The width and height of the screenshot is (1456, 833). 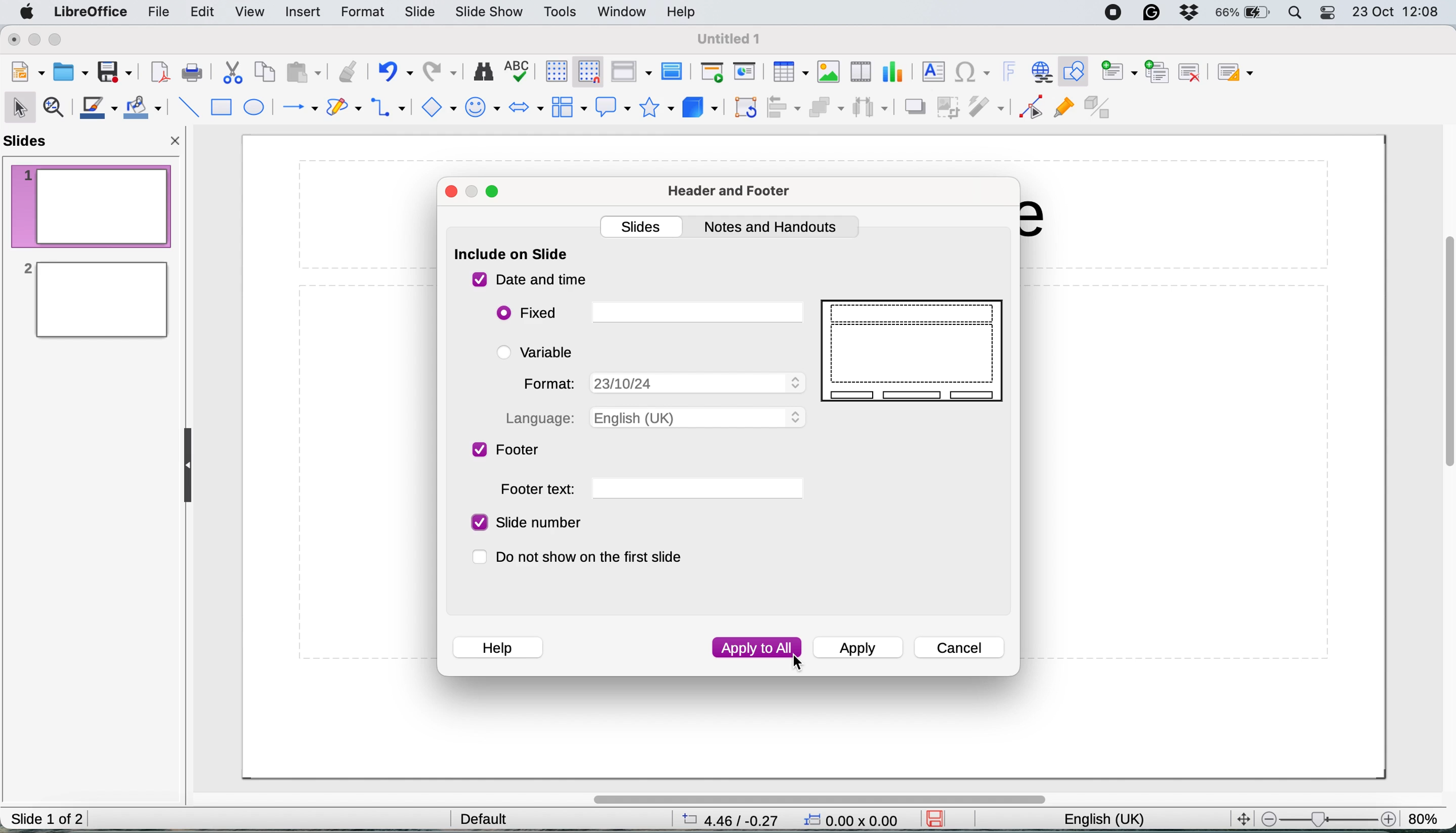 What do you see at coordinates (61, 41) in the screenshot?
I see `maximise` at bounding box center [61, 41].